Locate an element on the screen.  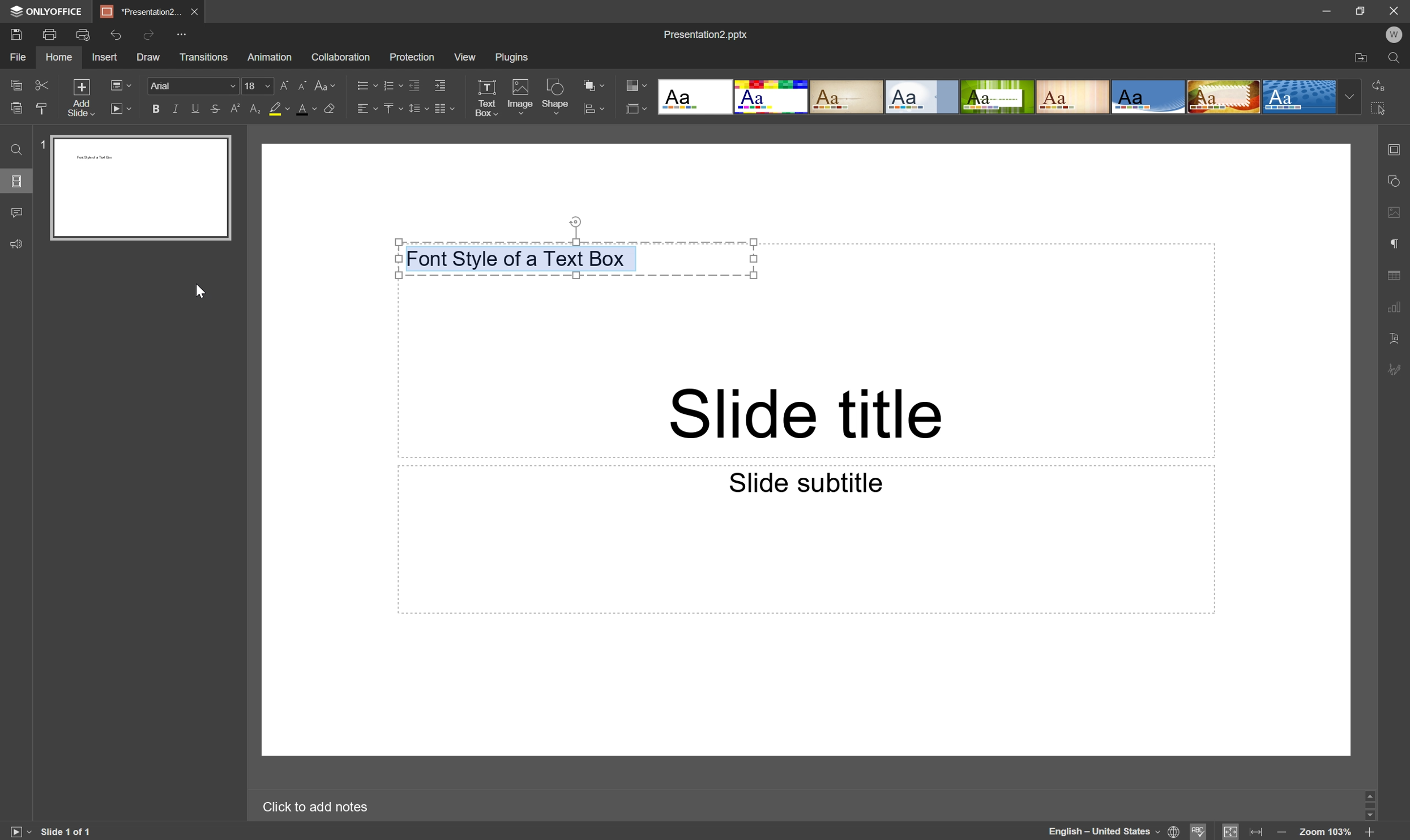
Transitions is located at coordinates (204, 57).